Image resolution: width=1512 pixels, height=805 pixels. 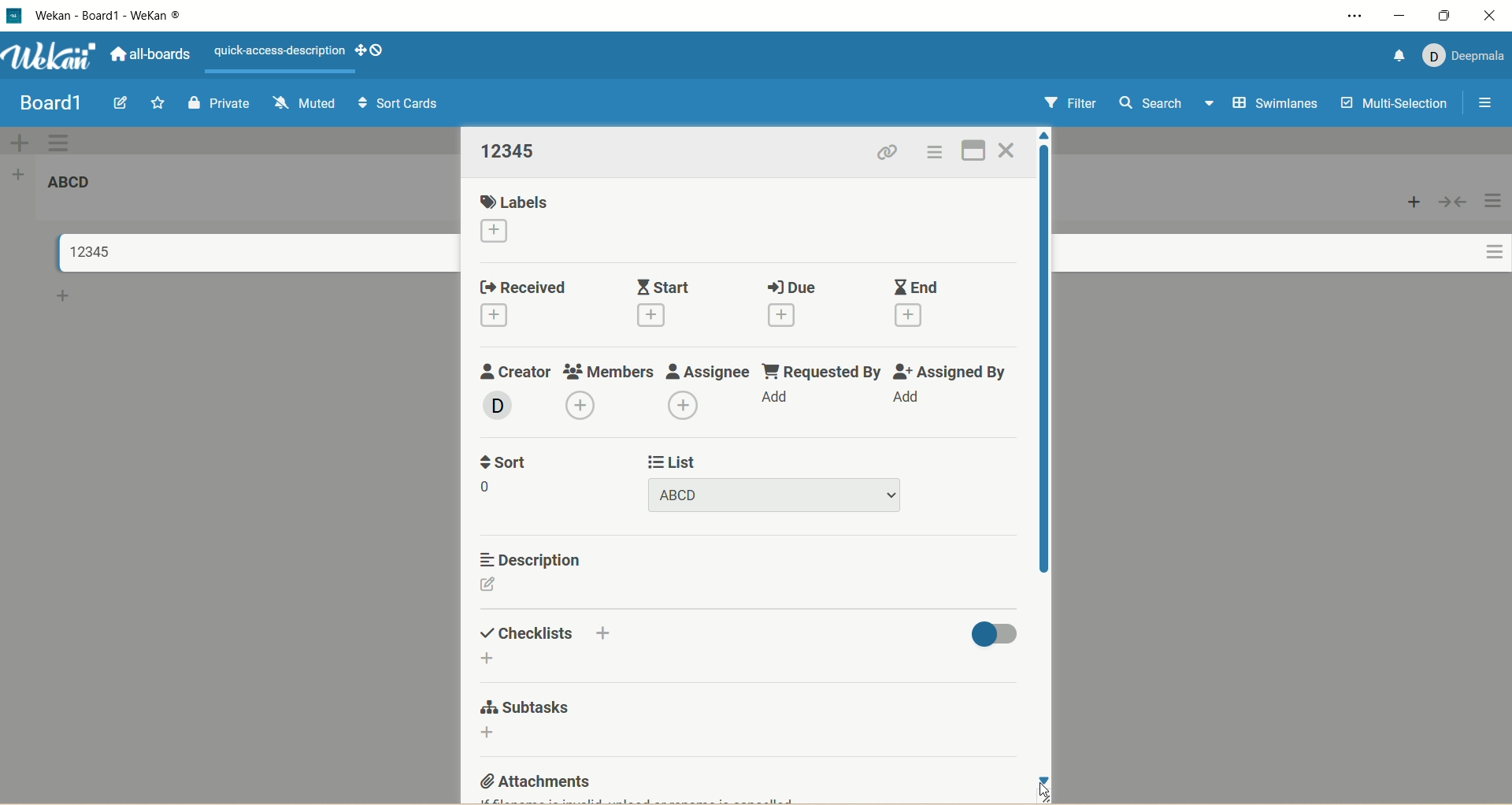 I want to click on toggle button, so click(x=993, y=632).